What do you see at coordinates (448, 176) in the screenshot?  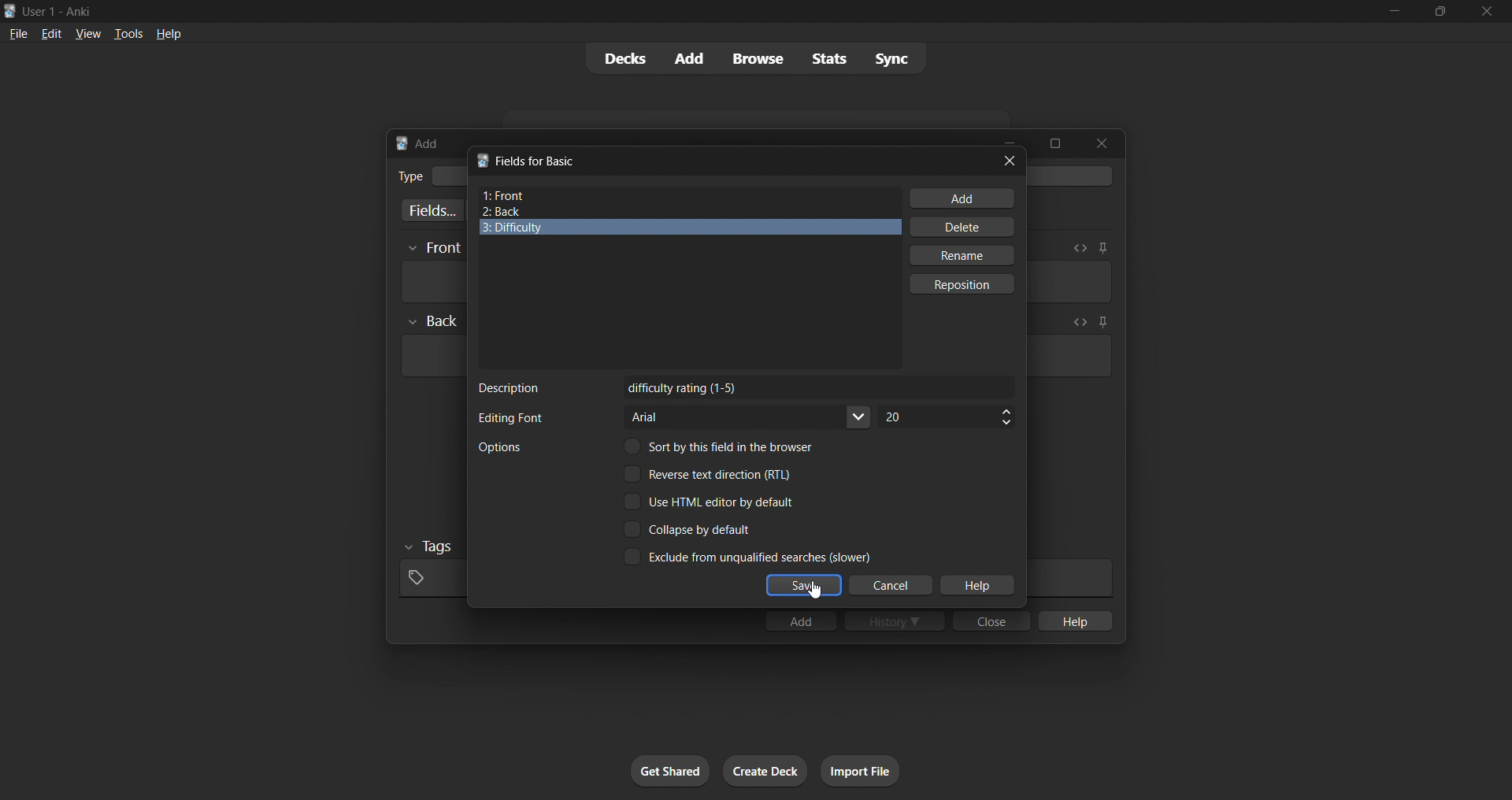 I see `basic card type` at bounding box center [448, 176].